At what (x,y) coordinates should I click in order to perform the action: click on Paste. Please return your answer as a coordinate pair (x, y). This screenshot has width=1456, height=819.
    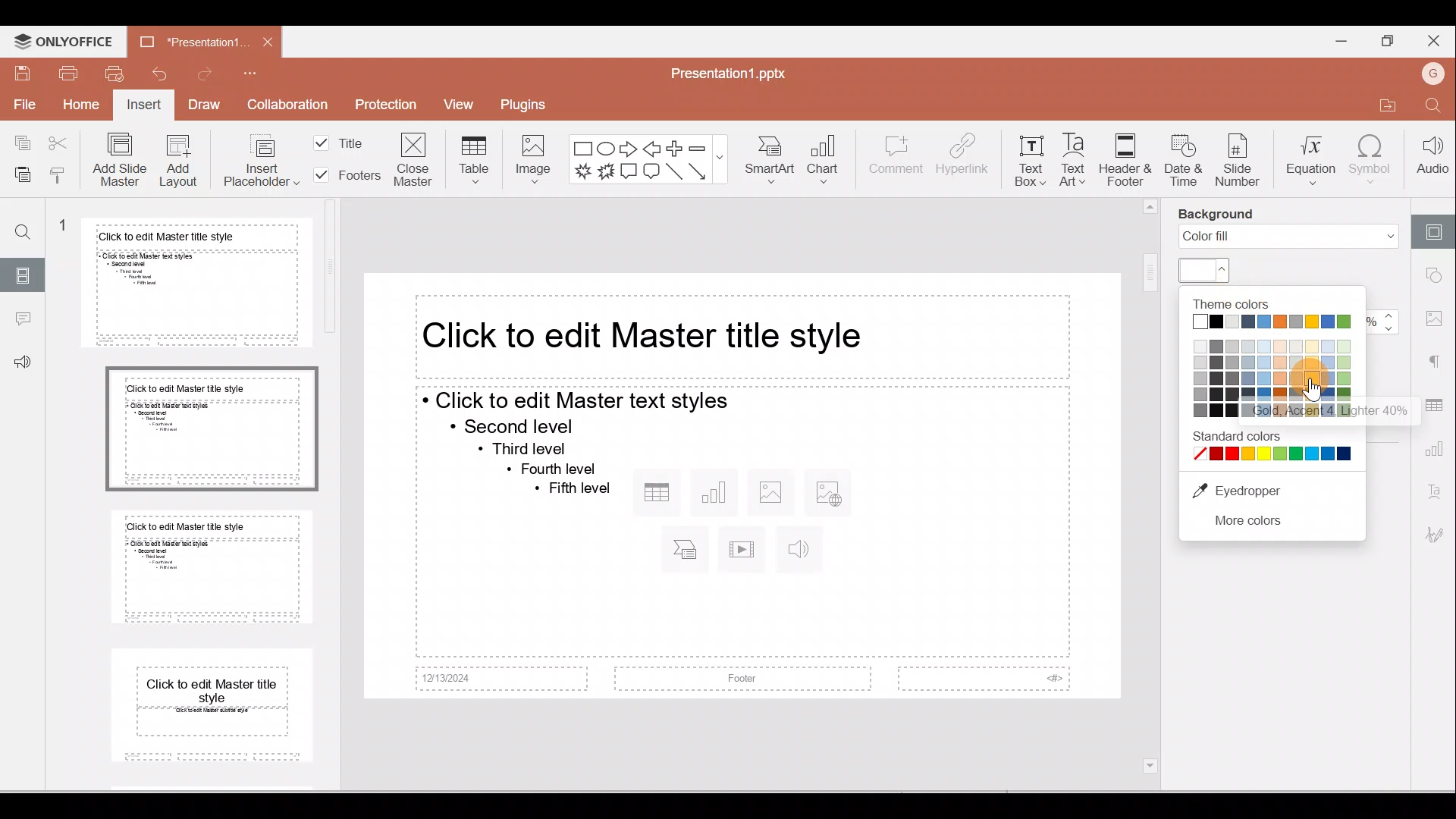
    Looking at the image, I should click on (18, 172).